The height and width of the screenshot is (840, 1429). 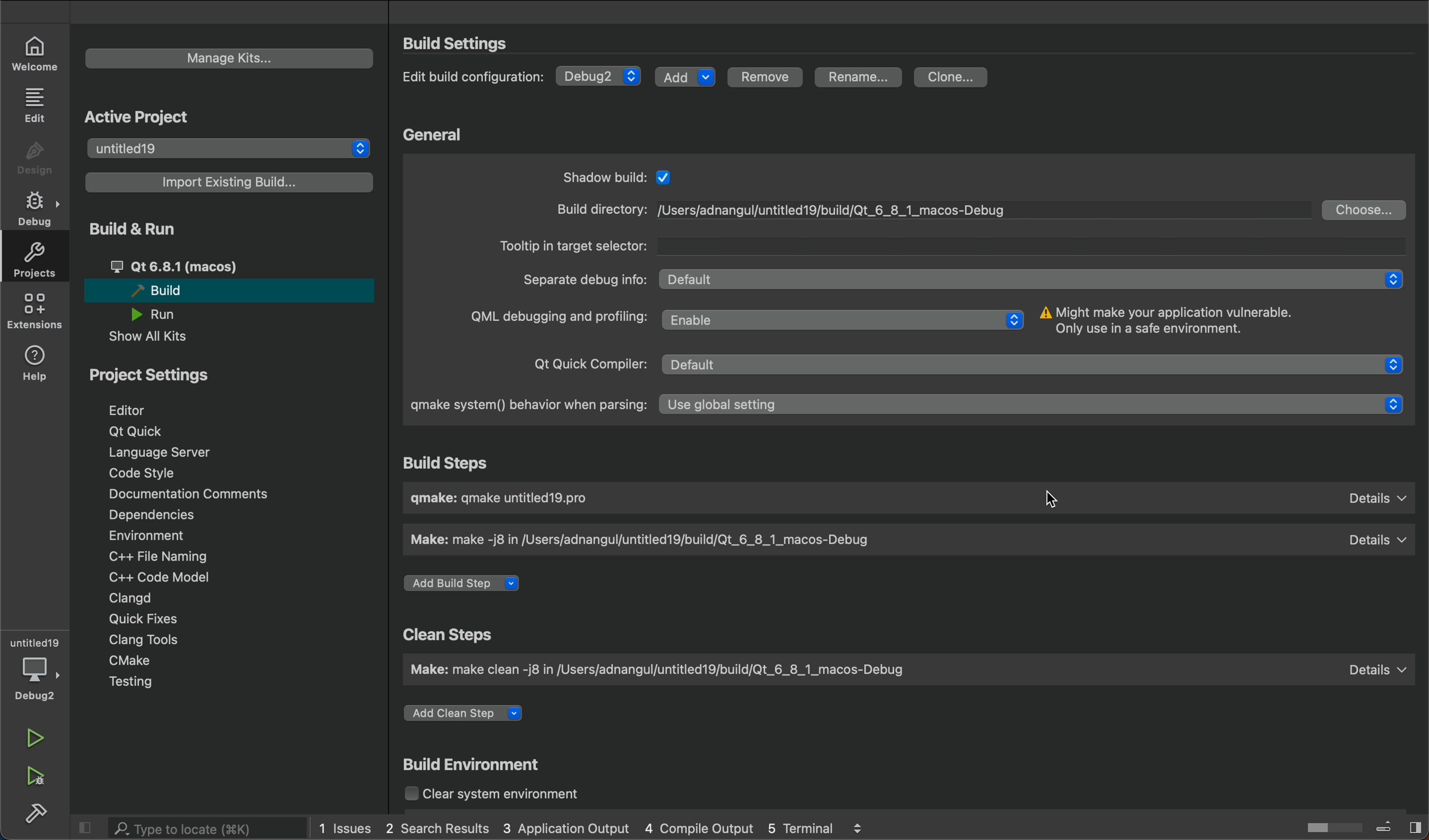 I want to click on debug, so click(x=39, y=679).